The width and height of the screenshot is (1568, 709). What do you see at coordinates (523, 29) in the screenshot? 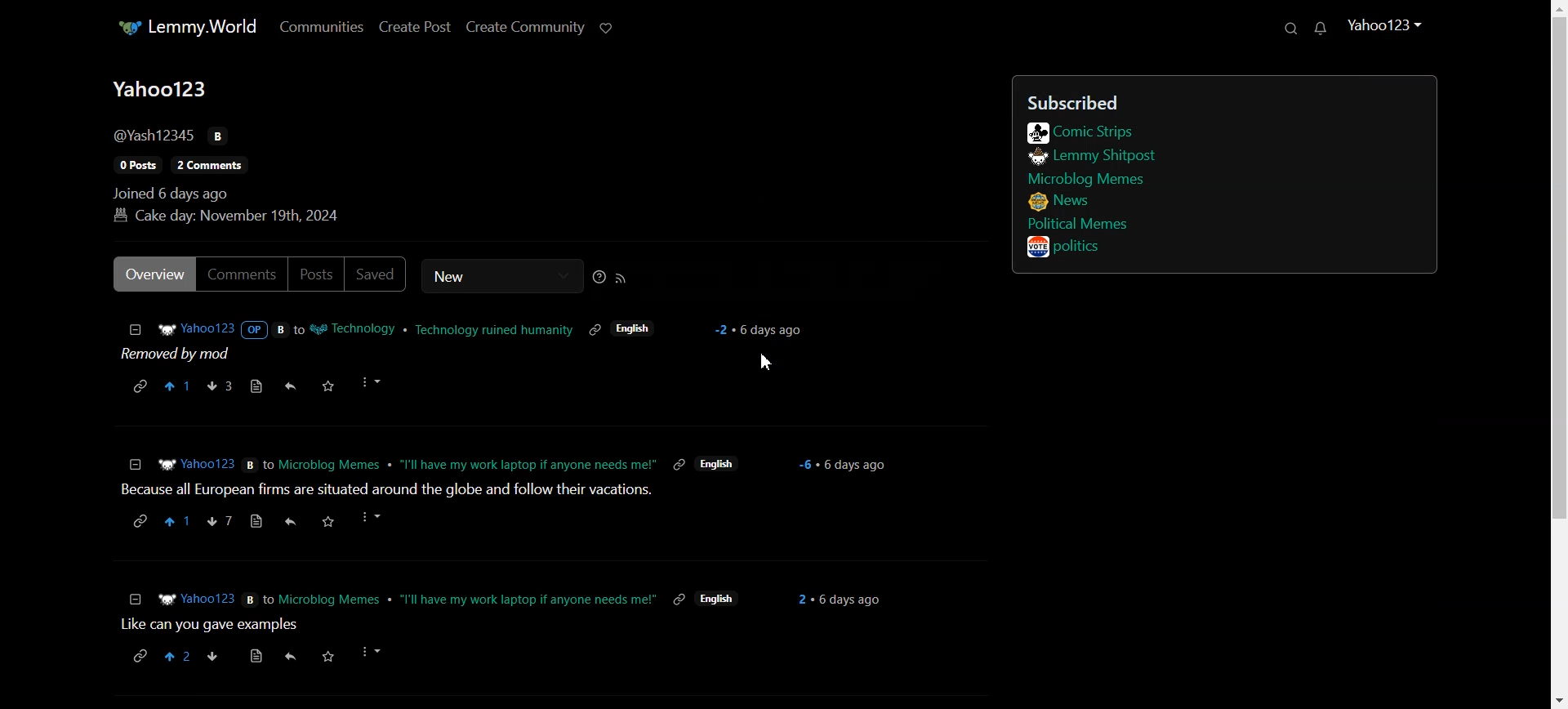
I see `Create Community` at bounding box center [523, 29].